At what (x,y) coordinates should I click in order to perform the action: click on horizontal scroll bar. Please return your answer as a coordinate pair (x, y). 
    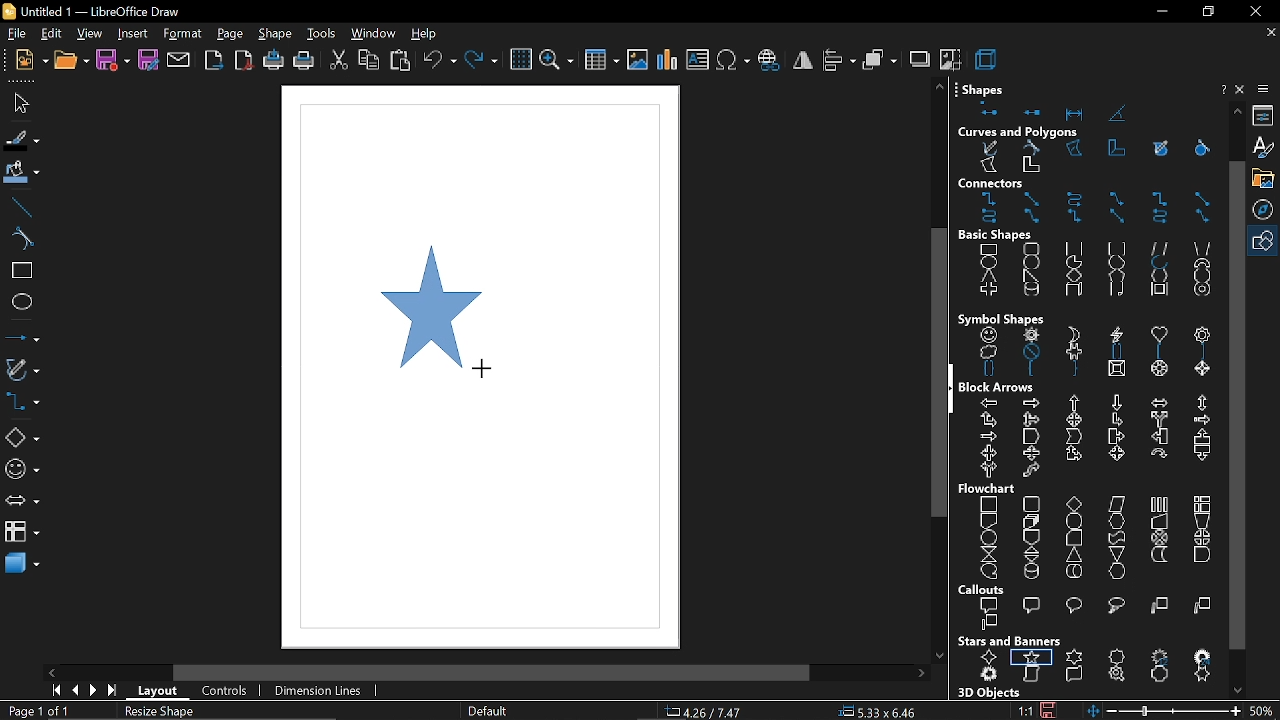
    Looking at the image, I should click on (487, 671).